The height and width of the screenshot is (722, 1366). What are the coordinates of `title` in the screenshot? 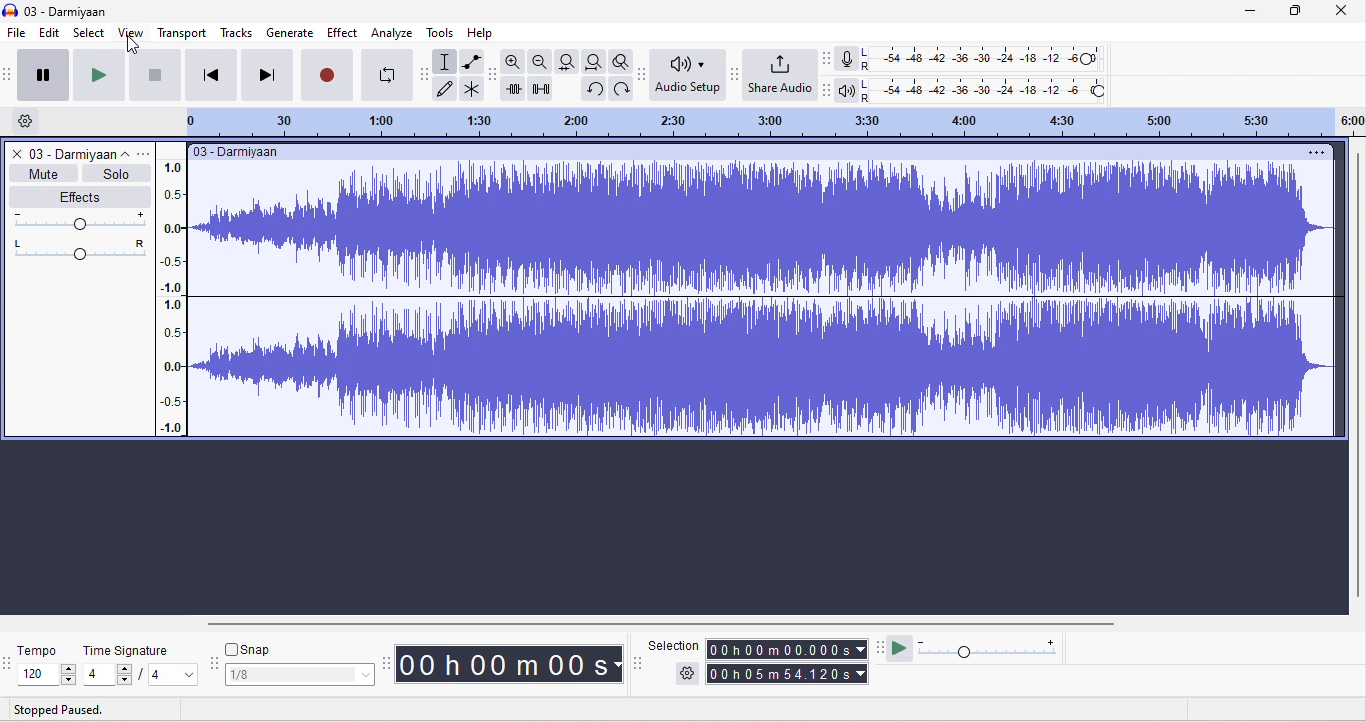 It's located at (56, 11).